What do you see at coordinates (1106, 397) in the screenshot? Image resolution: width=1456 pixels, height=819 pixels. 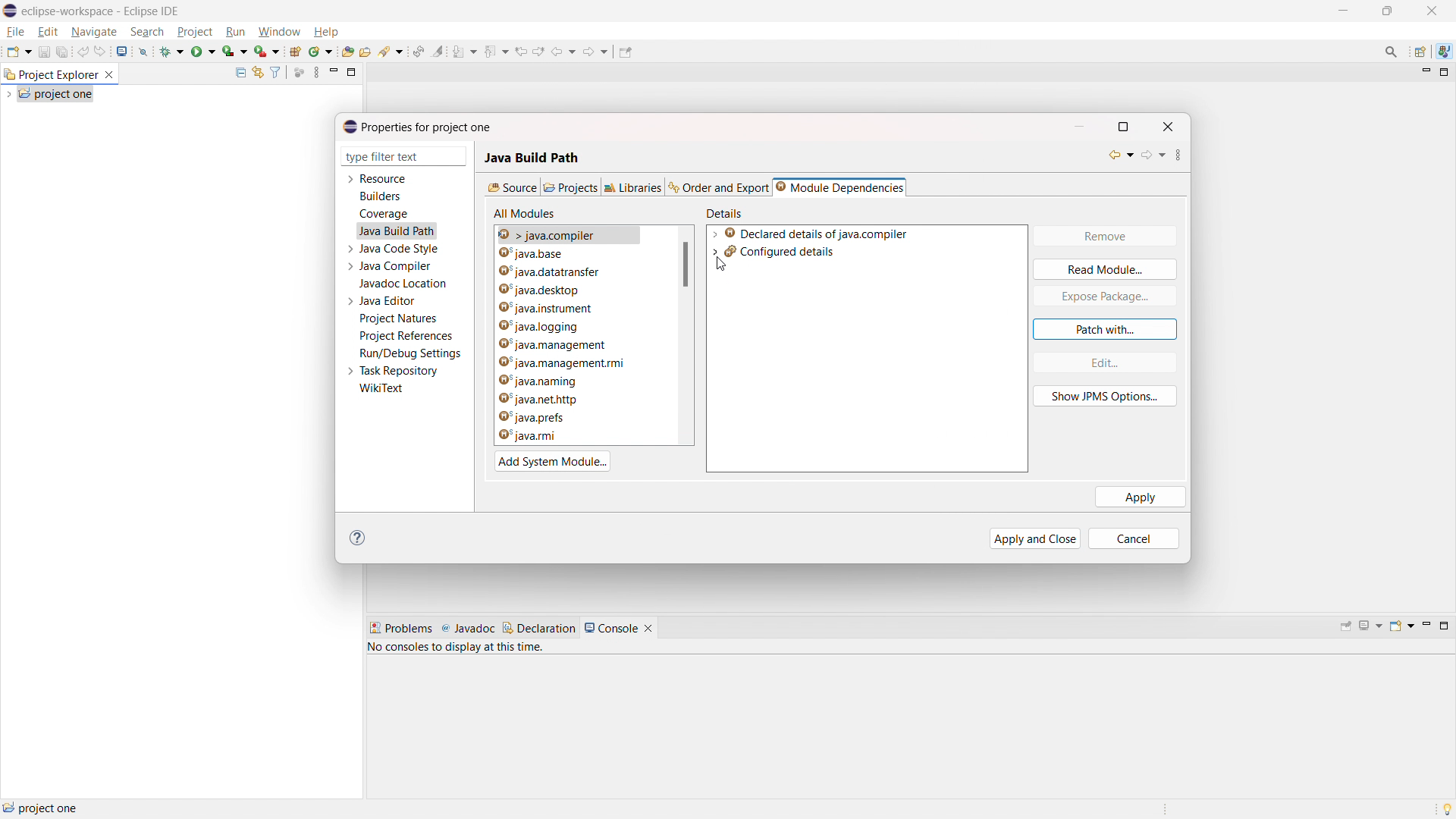 I see `show JPMS option` at bounding box center [1106, 397].